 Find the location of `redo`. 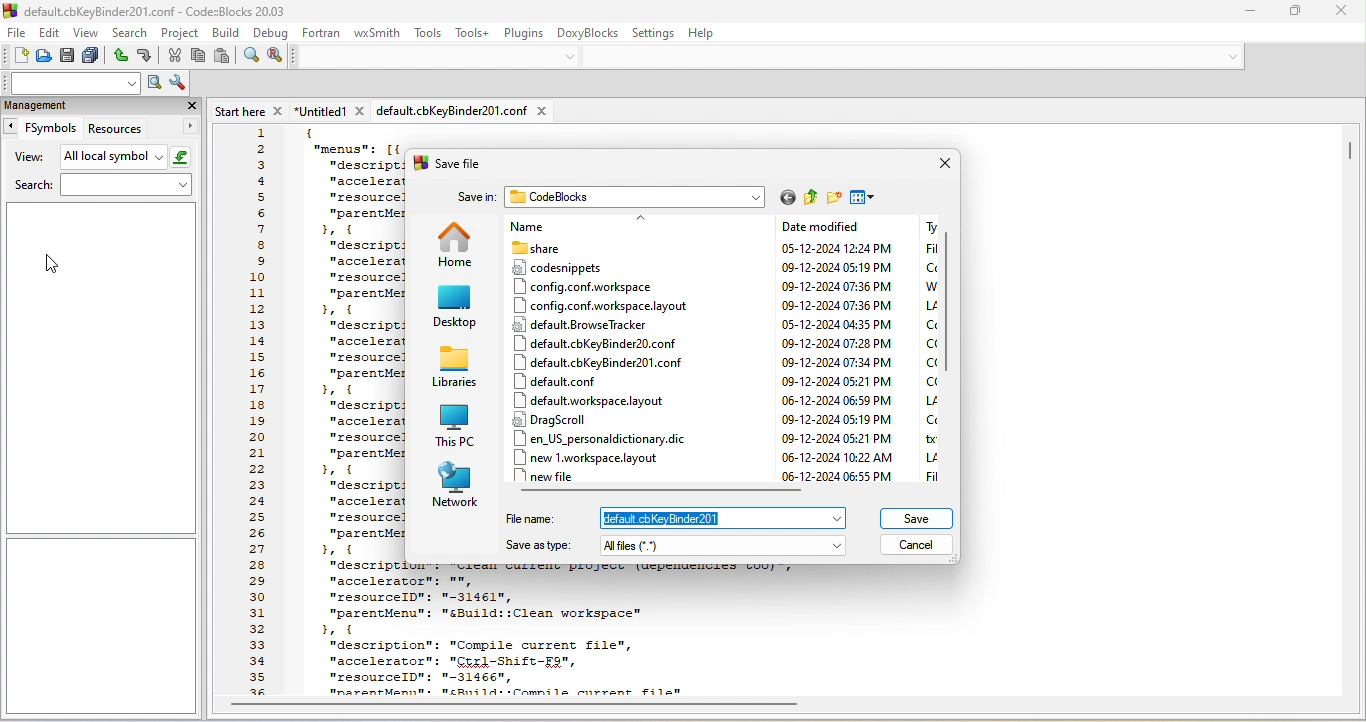

redo is located at coordinates (146, 56).